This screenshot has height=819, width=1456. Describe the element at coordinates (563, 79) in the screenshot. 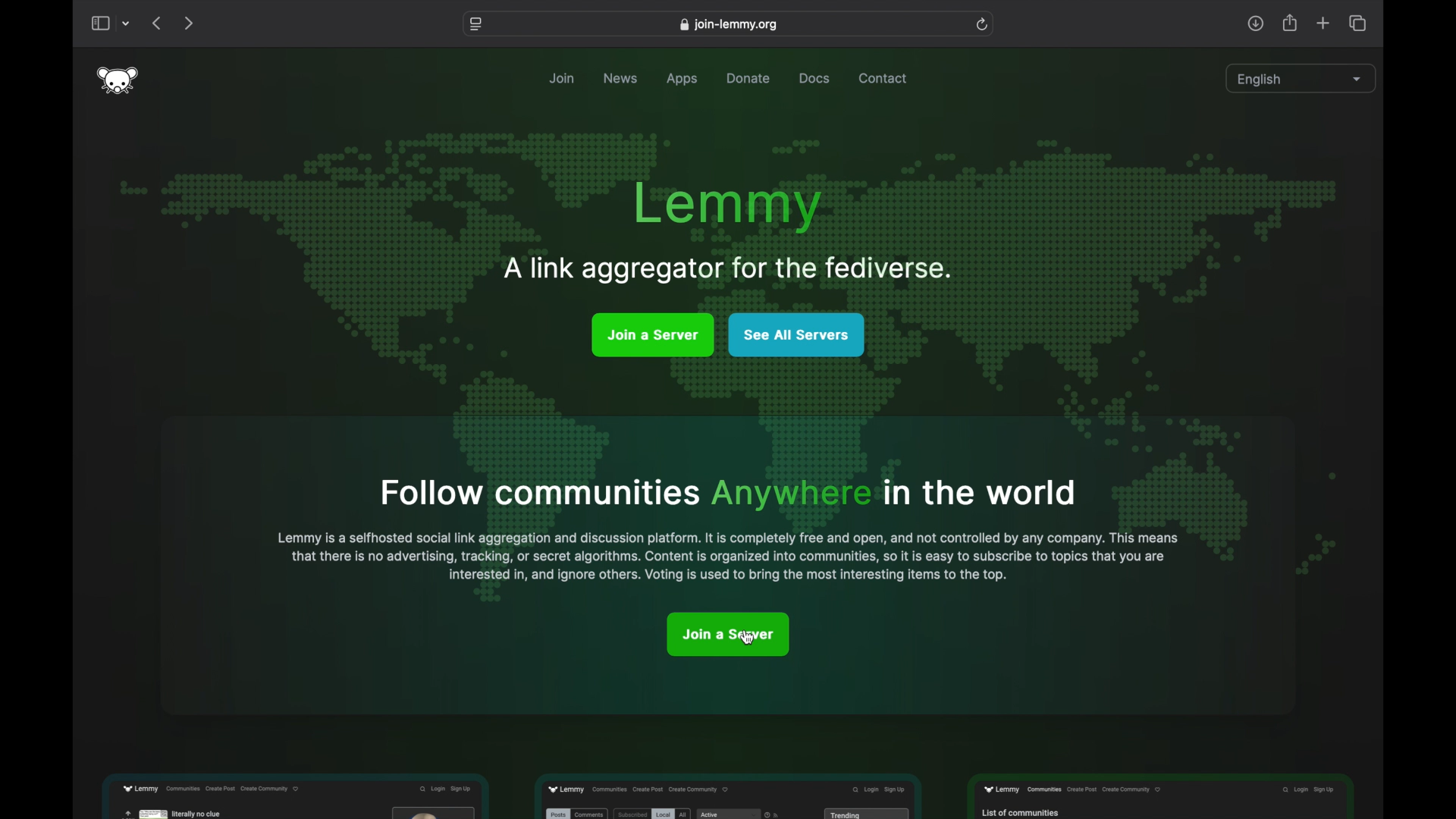

I see `join` at that location.